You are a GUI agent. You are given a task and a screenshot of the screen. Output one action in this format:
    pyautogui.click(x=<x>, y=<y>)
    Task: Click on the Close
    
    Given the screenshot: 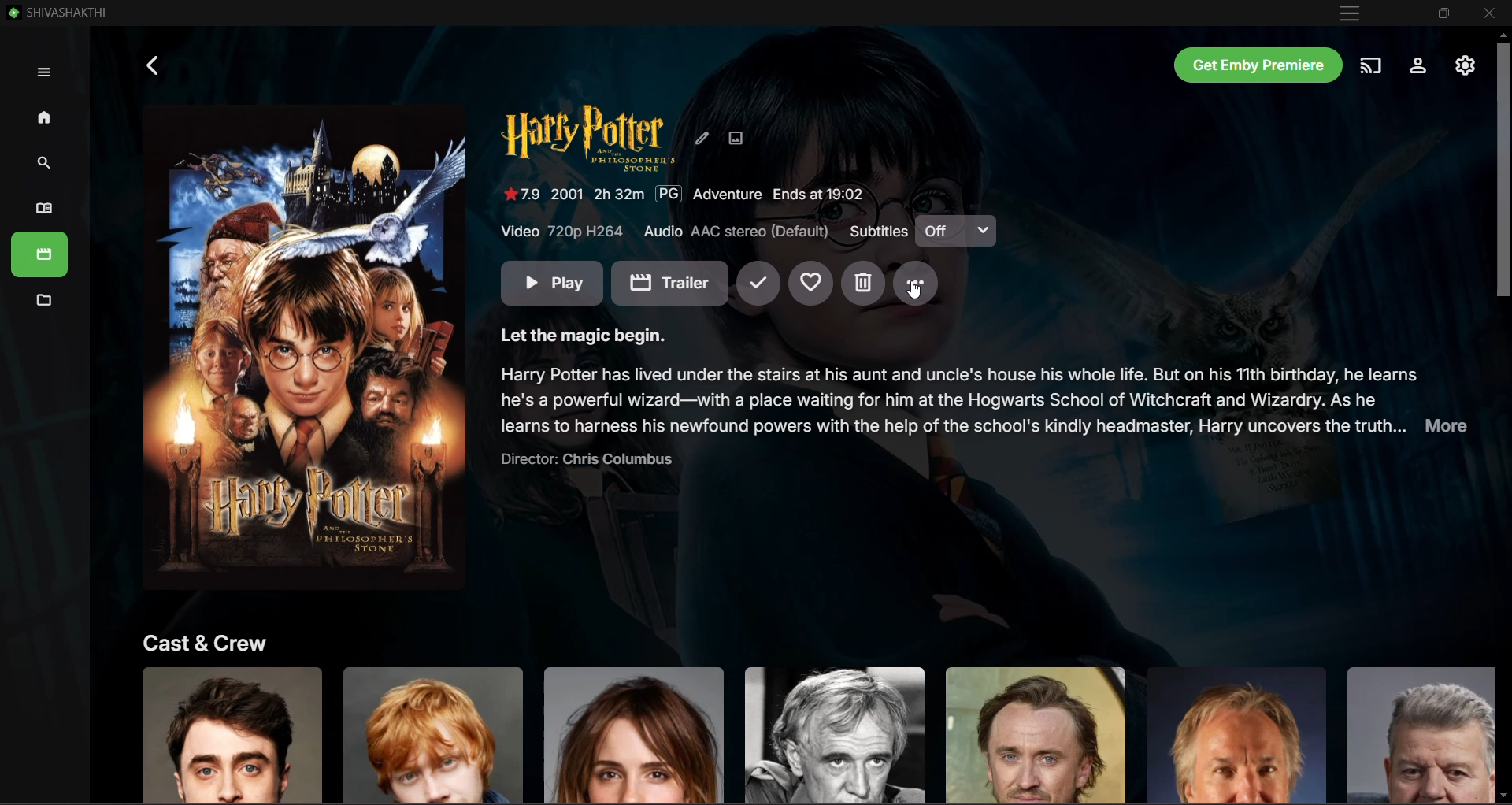 What is the action you would take?
    pyautogui.click(x=1489, y=13)
    